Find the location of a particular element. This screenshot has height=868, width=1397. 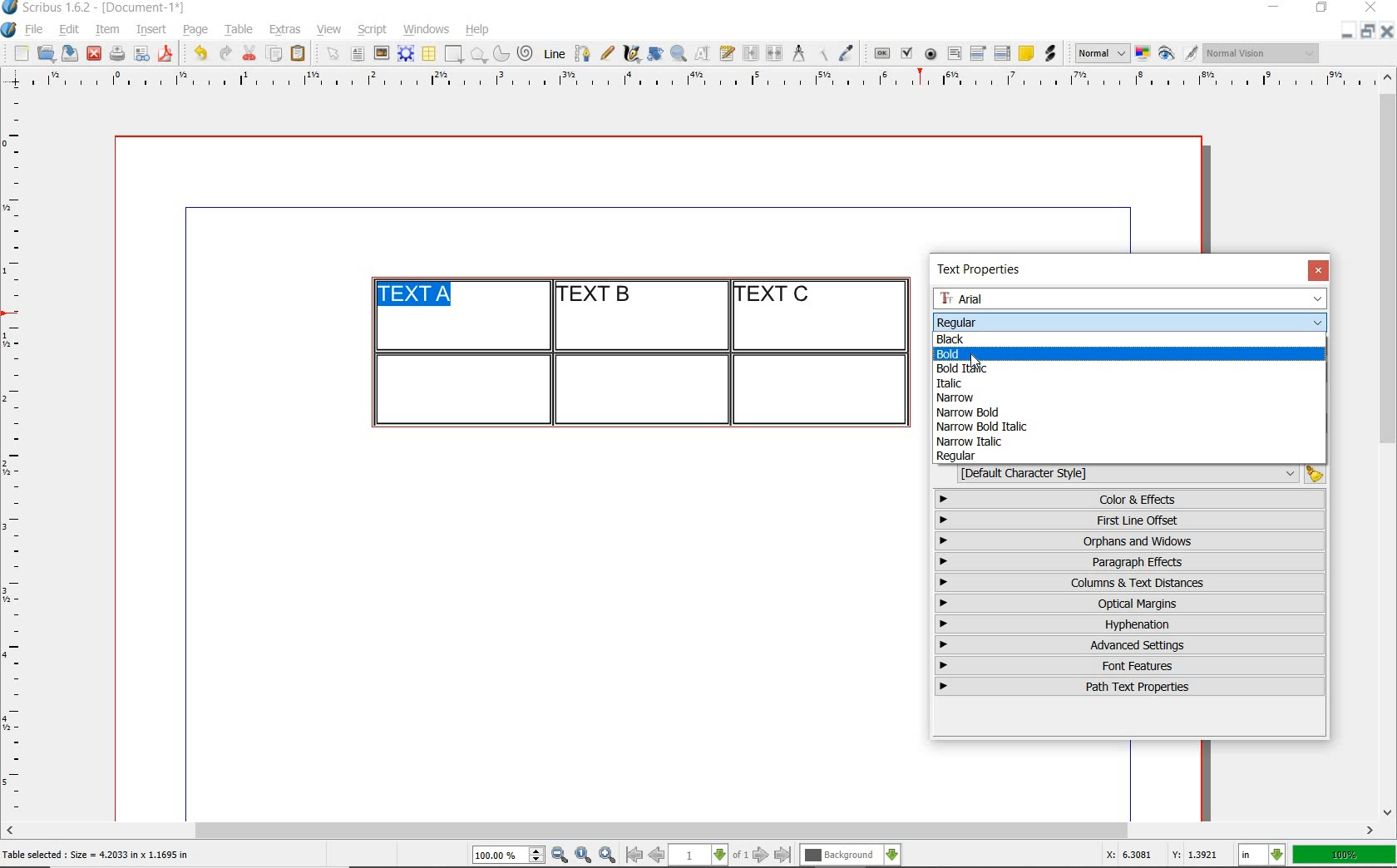

Table selected : Size = 4.2033 in x 1.1695 in is located at coordinates (96, 854).